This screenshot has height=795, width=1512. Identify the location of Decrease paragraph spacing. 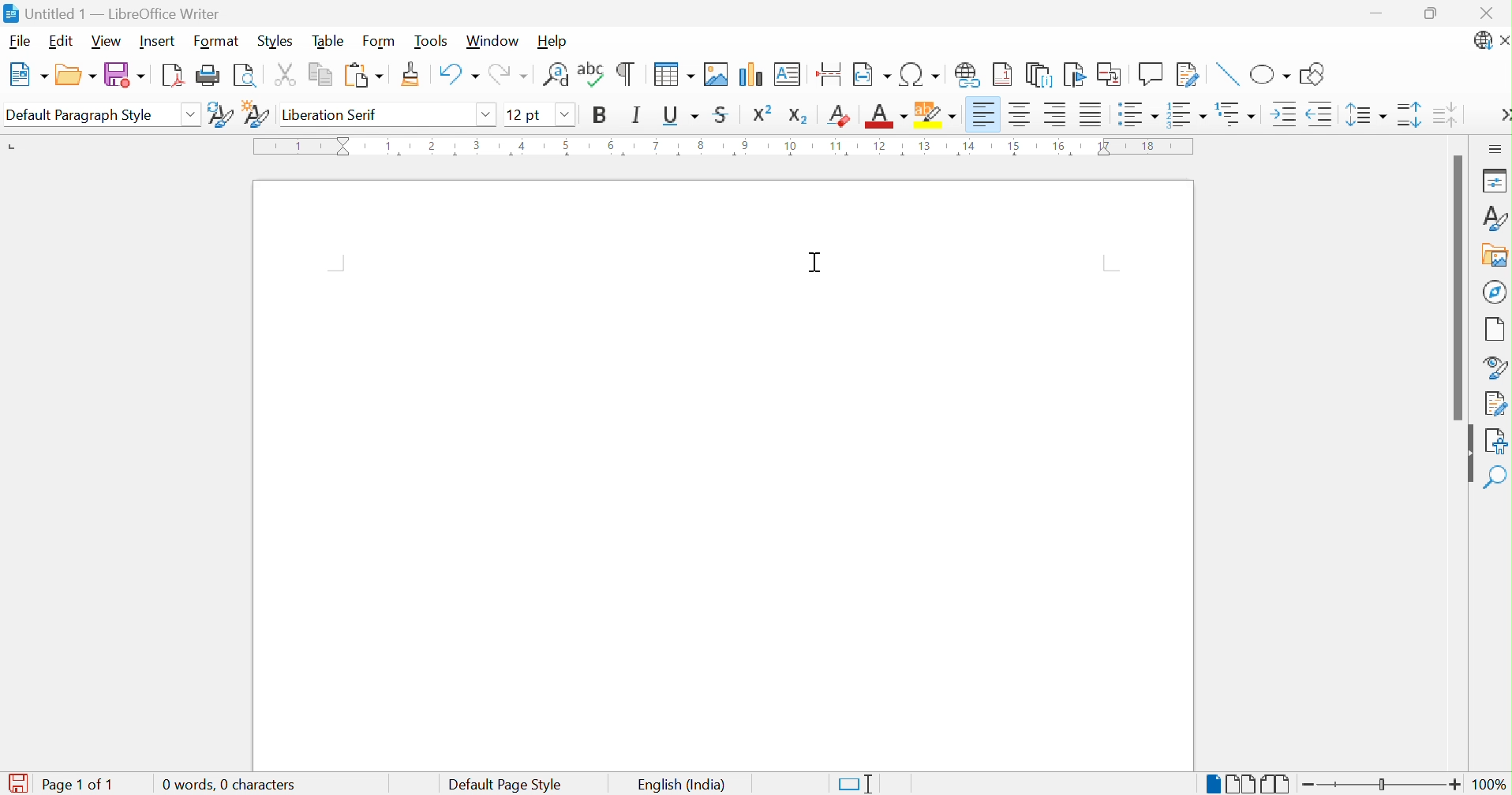
(1448, 116).